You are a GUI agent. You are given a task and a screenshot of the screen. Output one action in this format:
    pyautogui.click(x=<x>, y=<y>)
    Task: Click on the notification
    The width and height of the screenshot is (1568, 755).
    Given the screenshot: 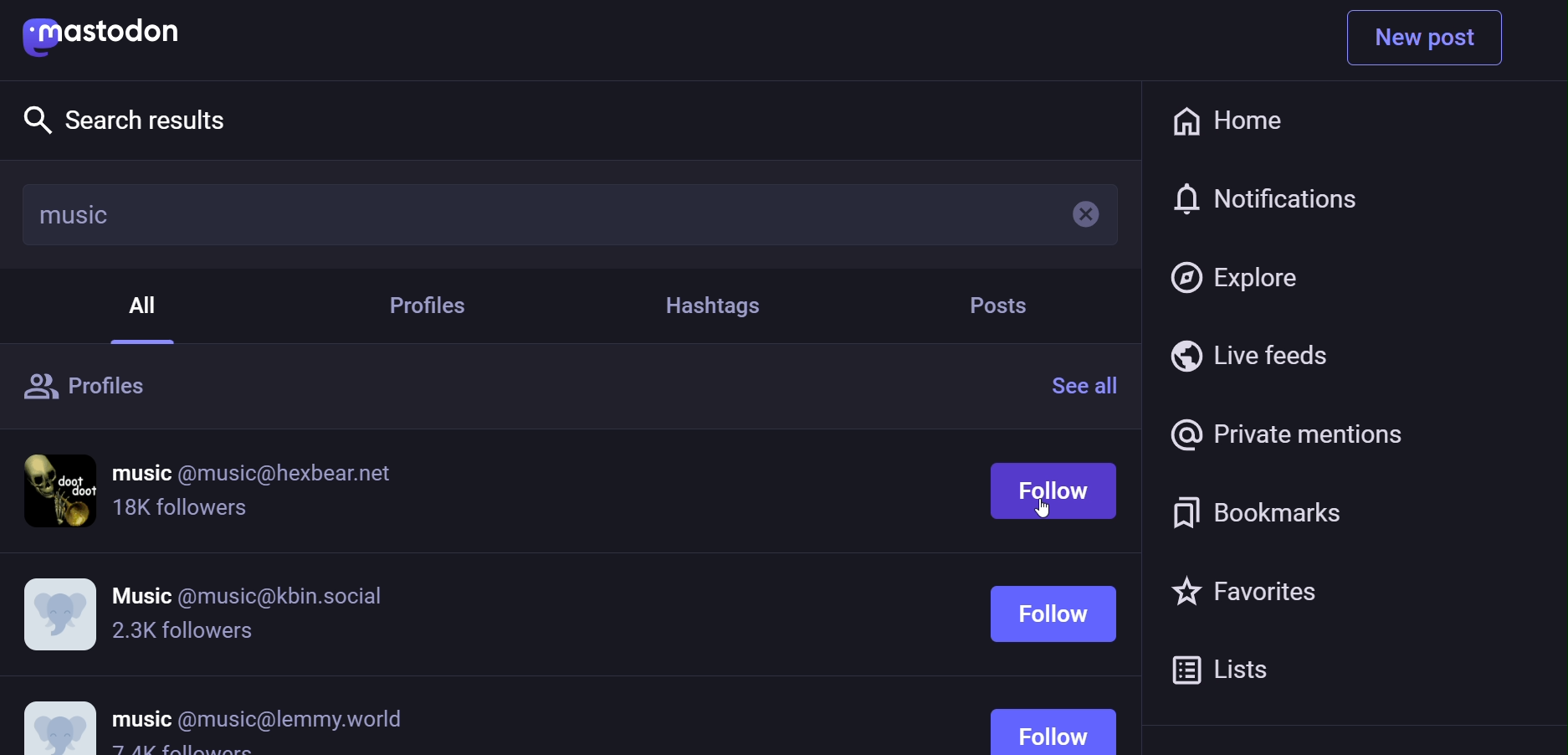 What is the action you would take?
    pyautogui.click(x=1266, y=201)
    